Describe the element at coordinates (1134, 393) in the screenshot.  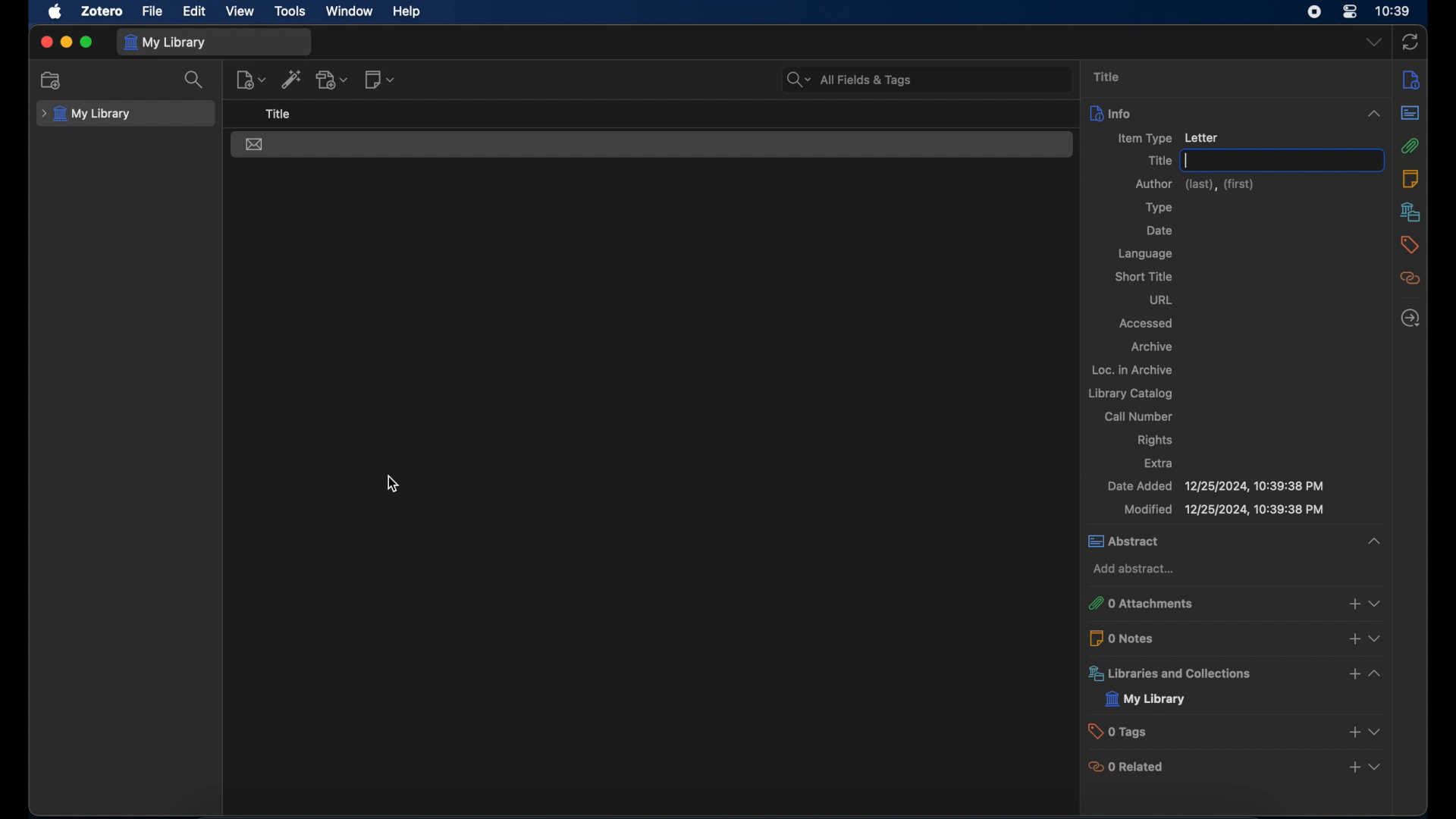
I see `library catalog` at that location.